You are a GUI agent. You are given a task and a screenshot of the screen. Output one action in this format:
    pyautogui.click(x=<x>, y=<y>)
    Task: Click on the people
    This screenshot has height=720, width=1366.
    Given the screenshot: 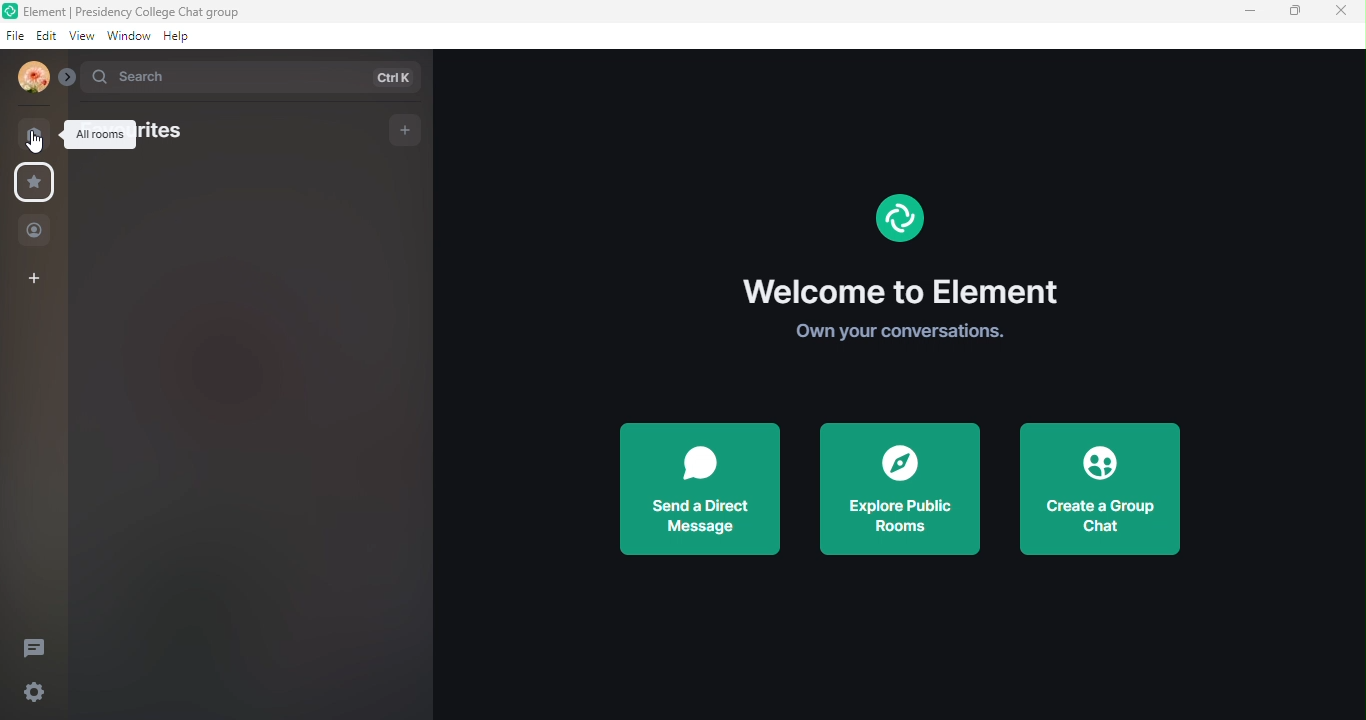 What is the action you would take?
    pyautogui.click(x=35, y=230)
    